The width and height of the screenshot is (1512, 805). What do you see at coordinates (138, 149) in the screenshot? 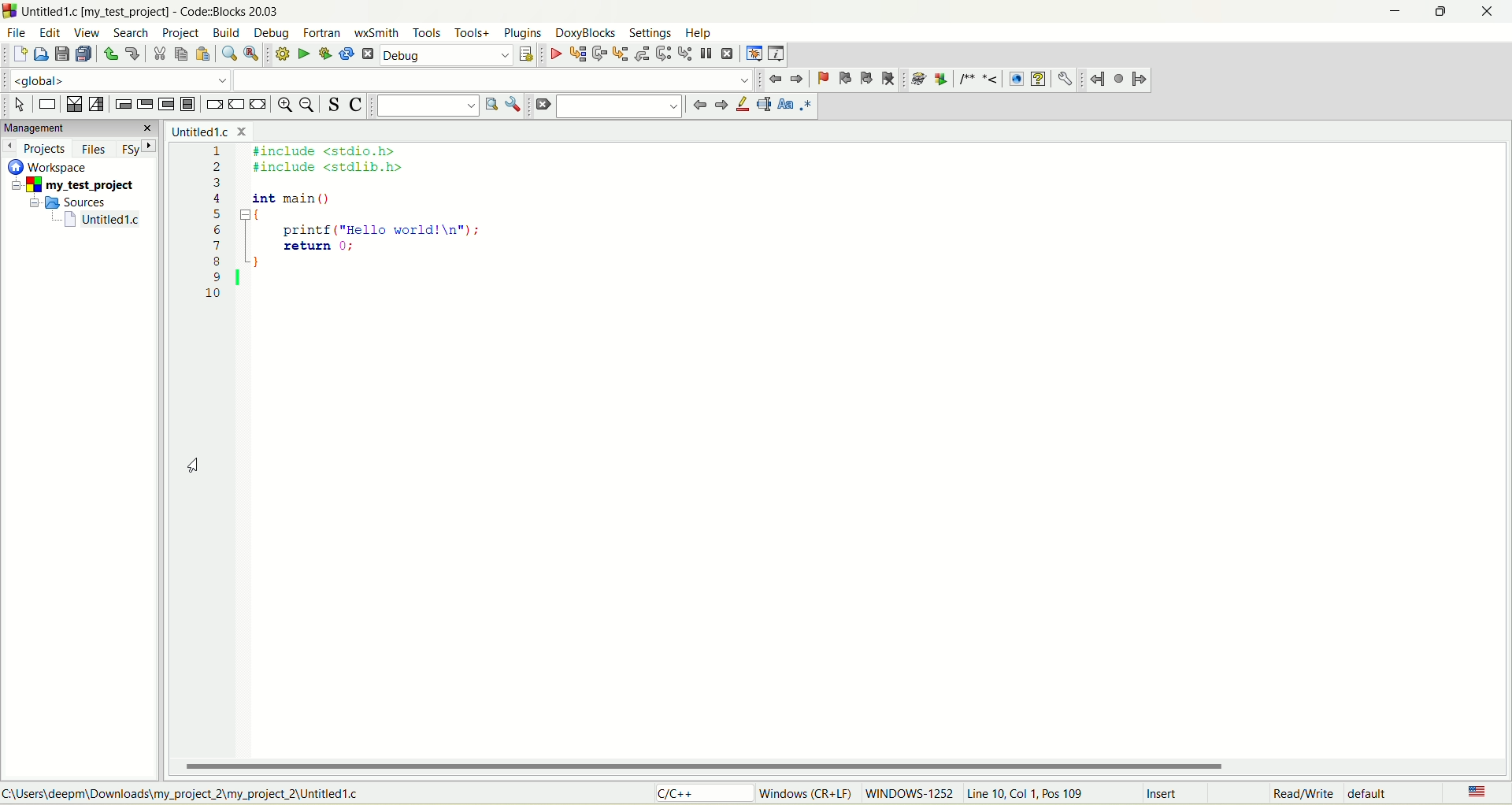
I see `Fsy` at bounding box center [138, 149].